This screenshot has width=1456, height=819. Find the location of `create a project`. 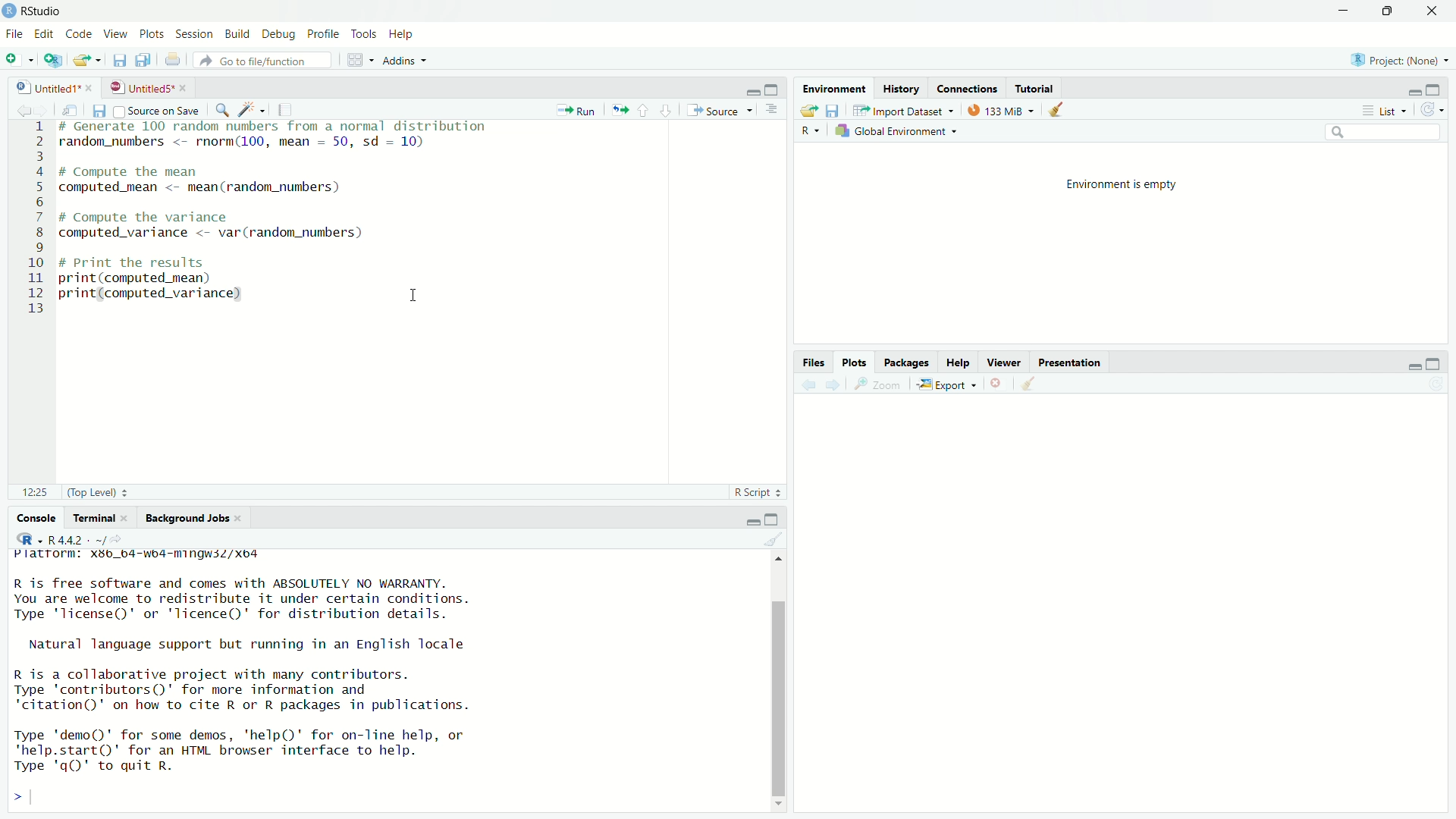

create a project is located at coordinates (56, 60).